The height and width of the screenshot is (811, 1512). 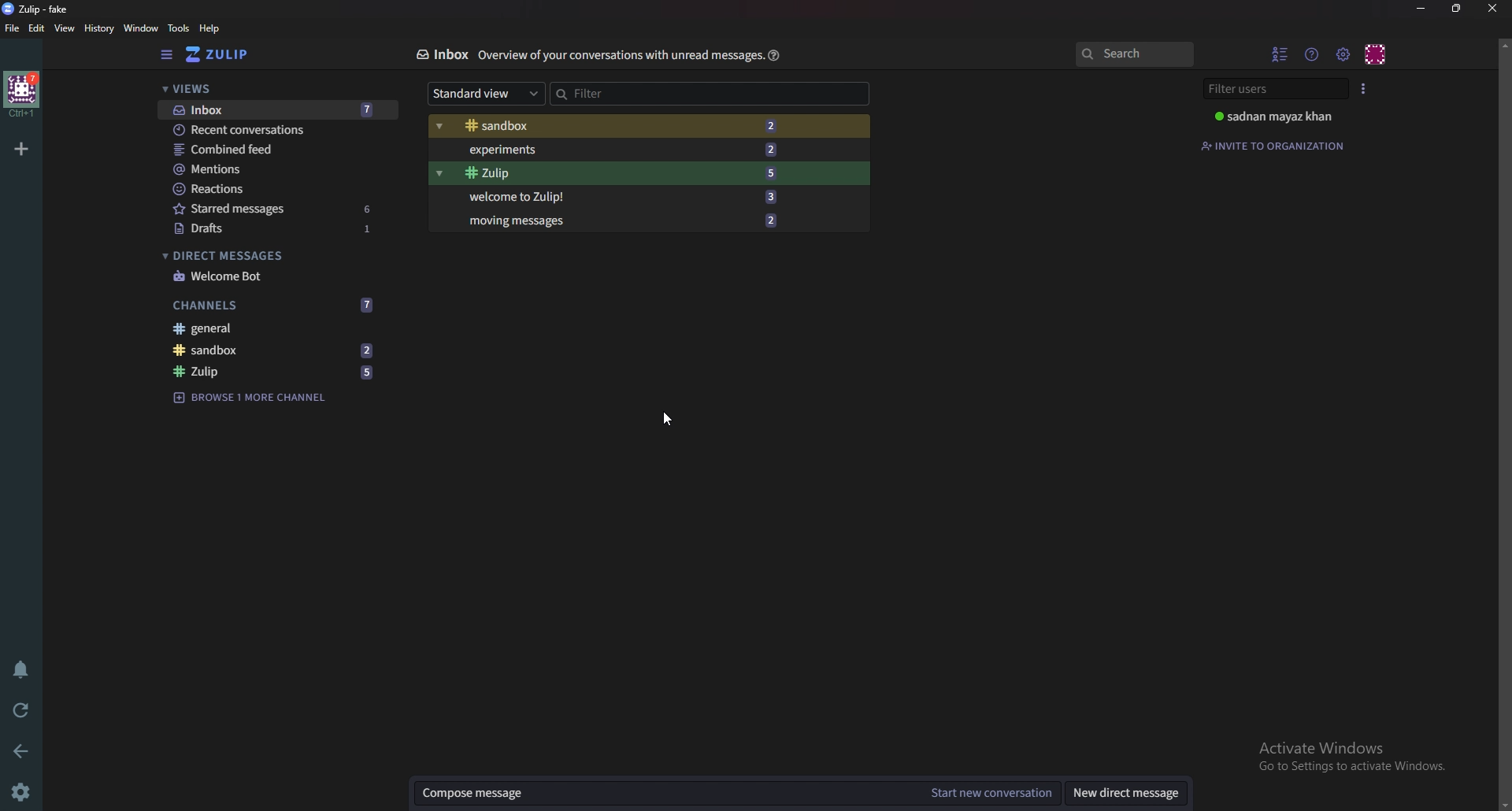 What do you see at coordinates (776, 148) in the screenshot?
I see `2` at bounding box center [776, 148].